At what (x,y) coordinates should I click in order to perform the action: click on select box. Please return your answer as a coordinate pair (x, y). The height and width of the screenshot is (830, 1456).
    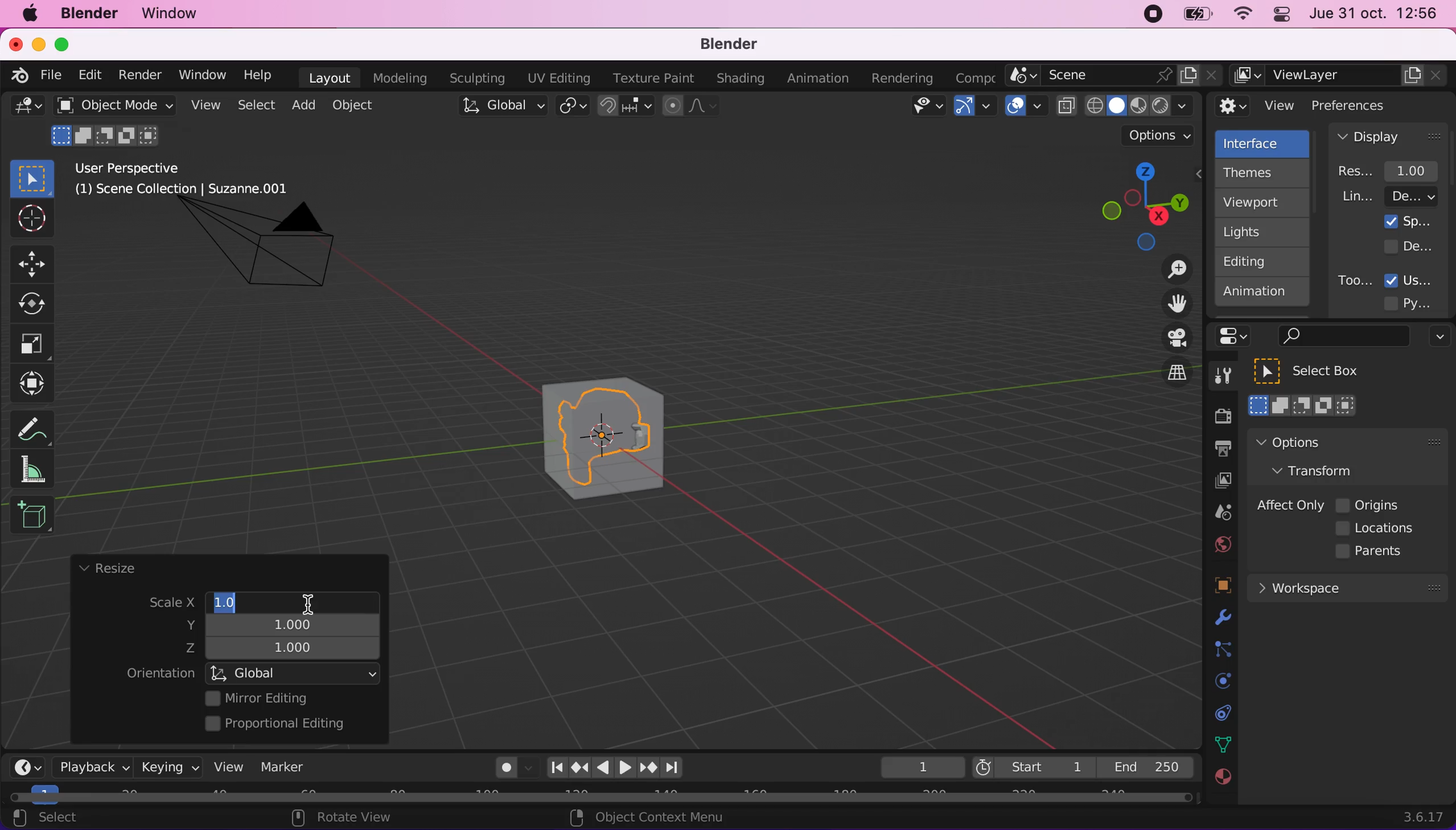
    Looking at the image, I should click on (32, 178).